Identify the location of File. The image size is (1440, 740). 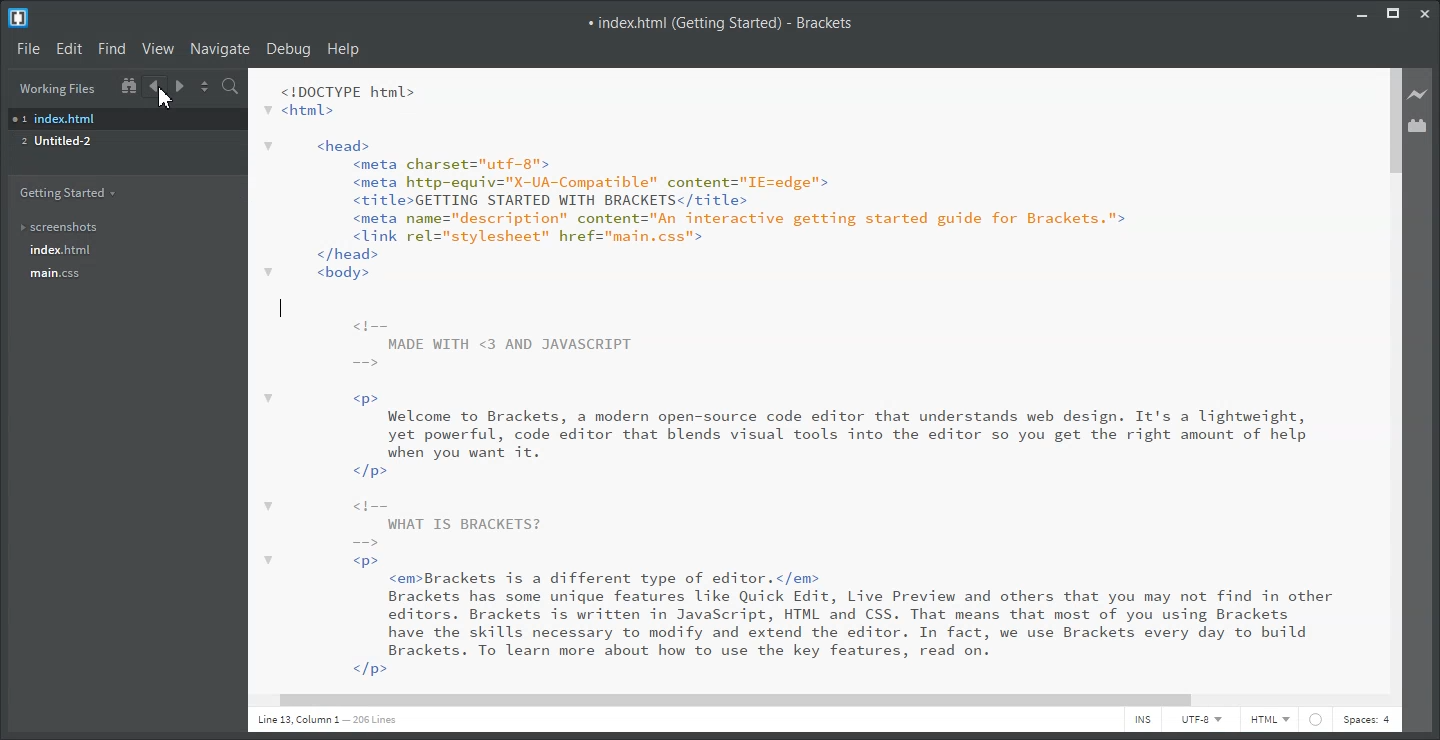
(28, 48).